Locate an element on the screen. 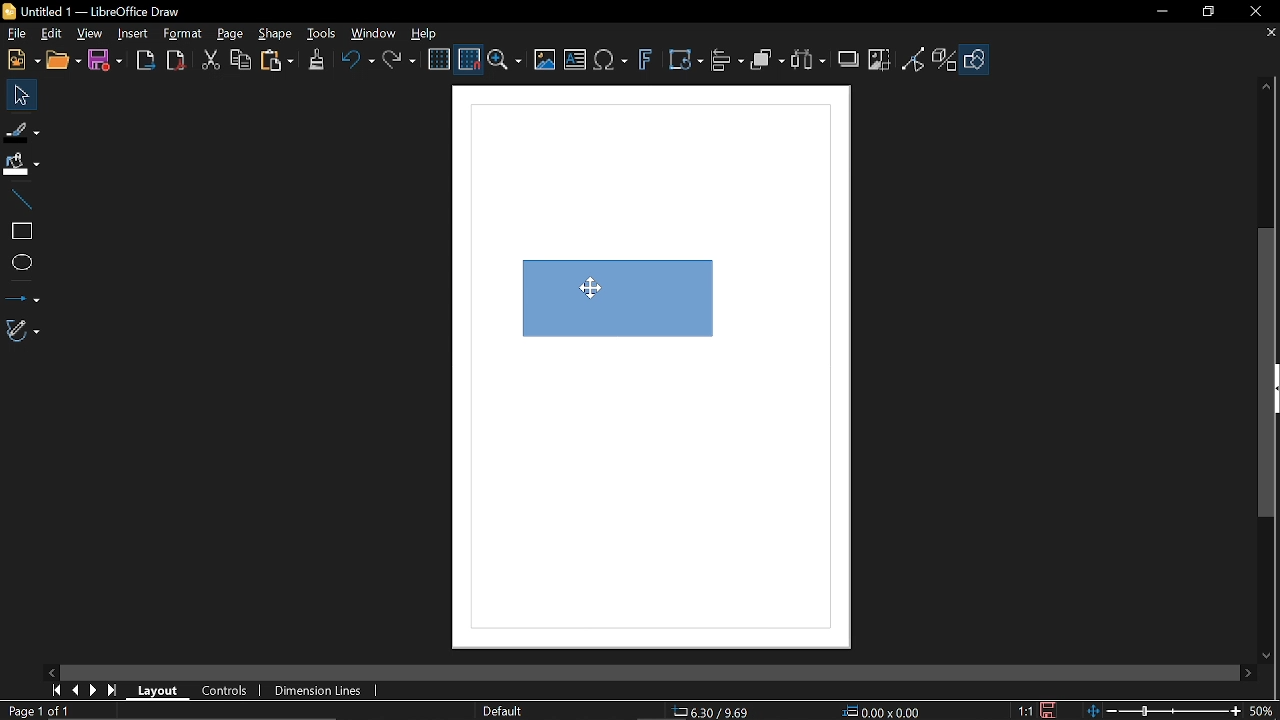 The image size is (1280, 720). Insert fontwork is located at coordinates (645, 62).